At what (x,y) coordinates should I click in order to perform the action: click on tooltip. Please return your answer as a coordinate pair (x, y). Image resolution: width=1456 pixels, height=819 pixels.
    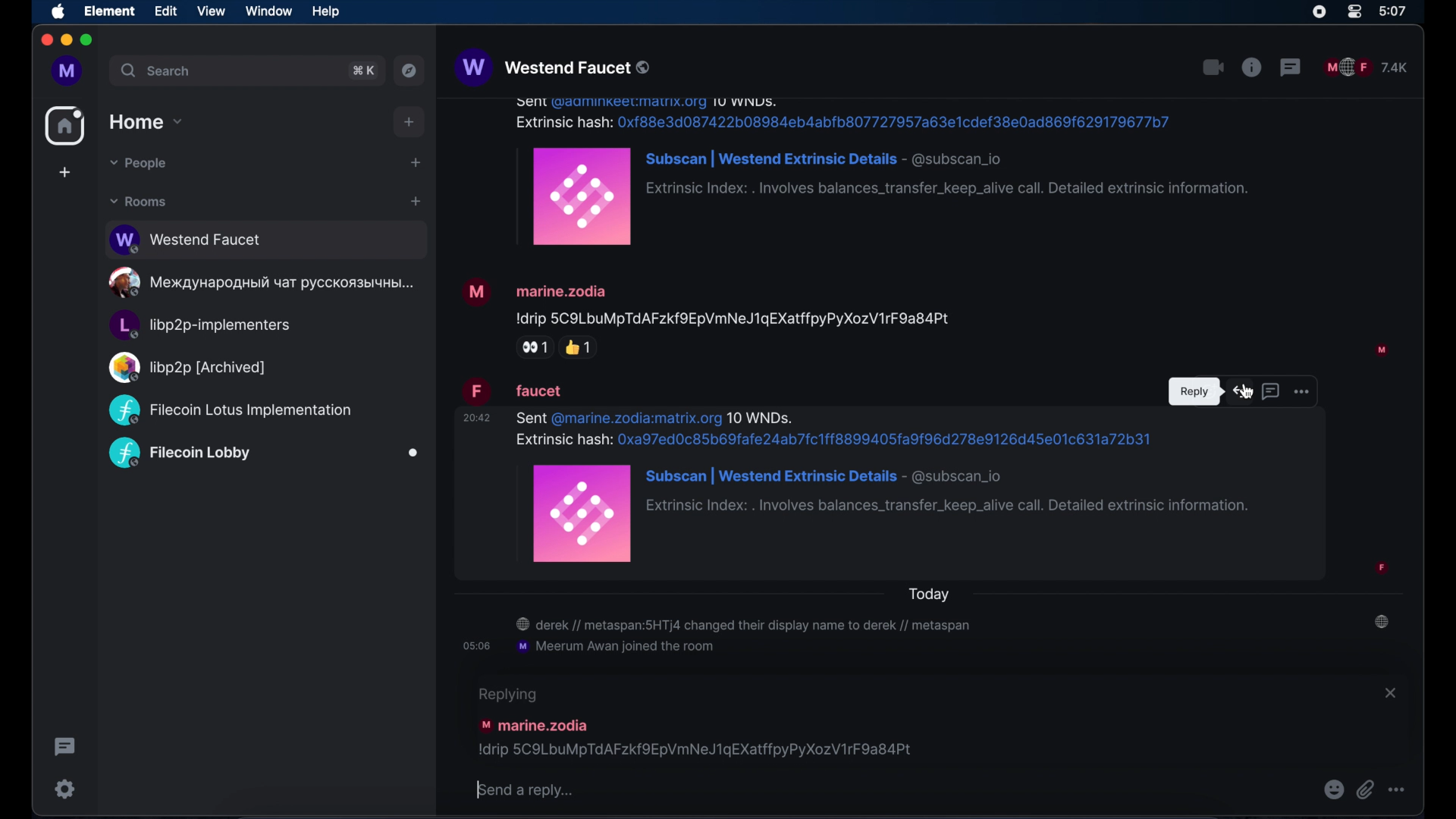
    Looking at the image, I should click on (1194, 393).